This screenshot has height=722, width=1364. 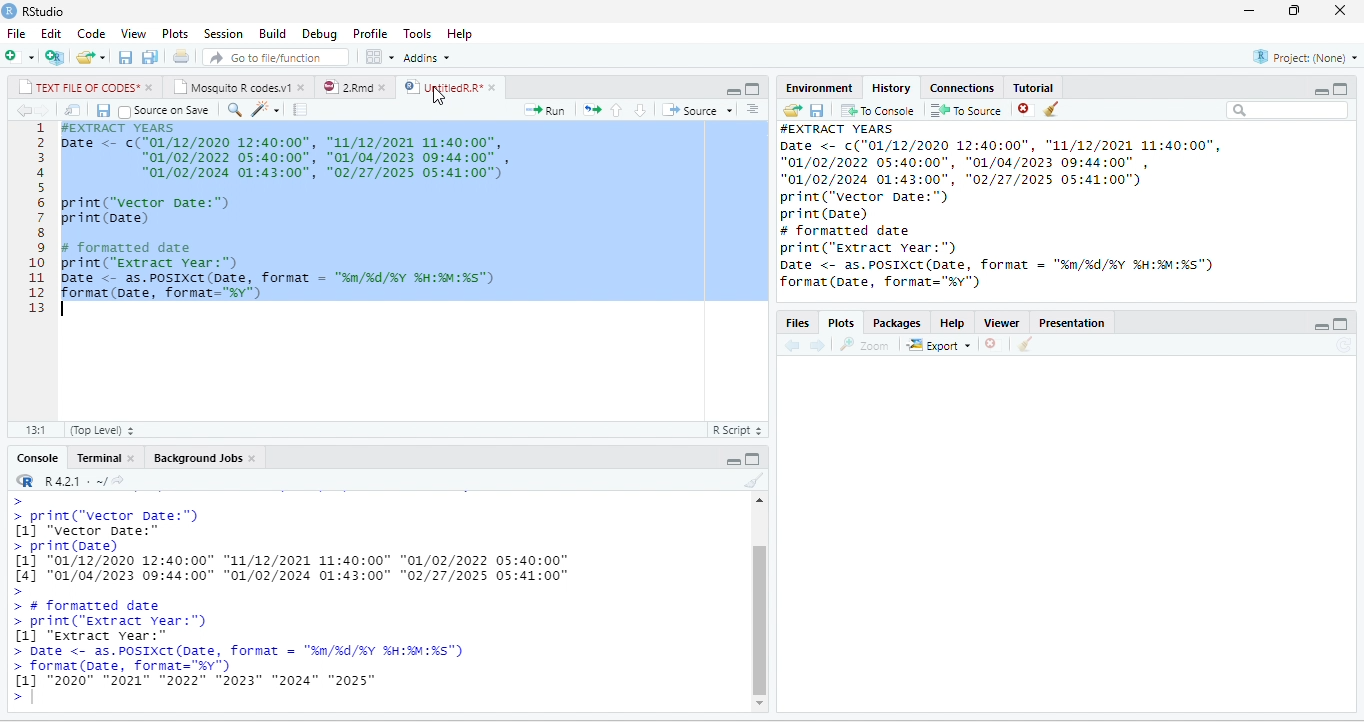 What do you see at coordinates (10, 11) in the screenshot?
I see `logo` at bounding box center [10, 11].